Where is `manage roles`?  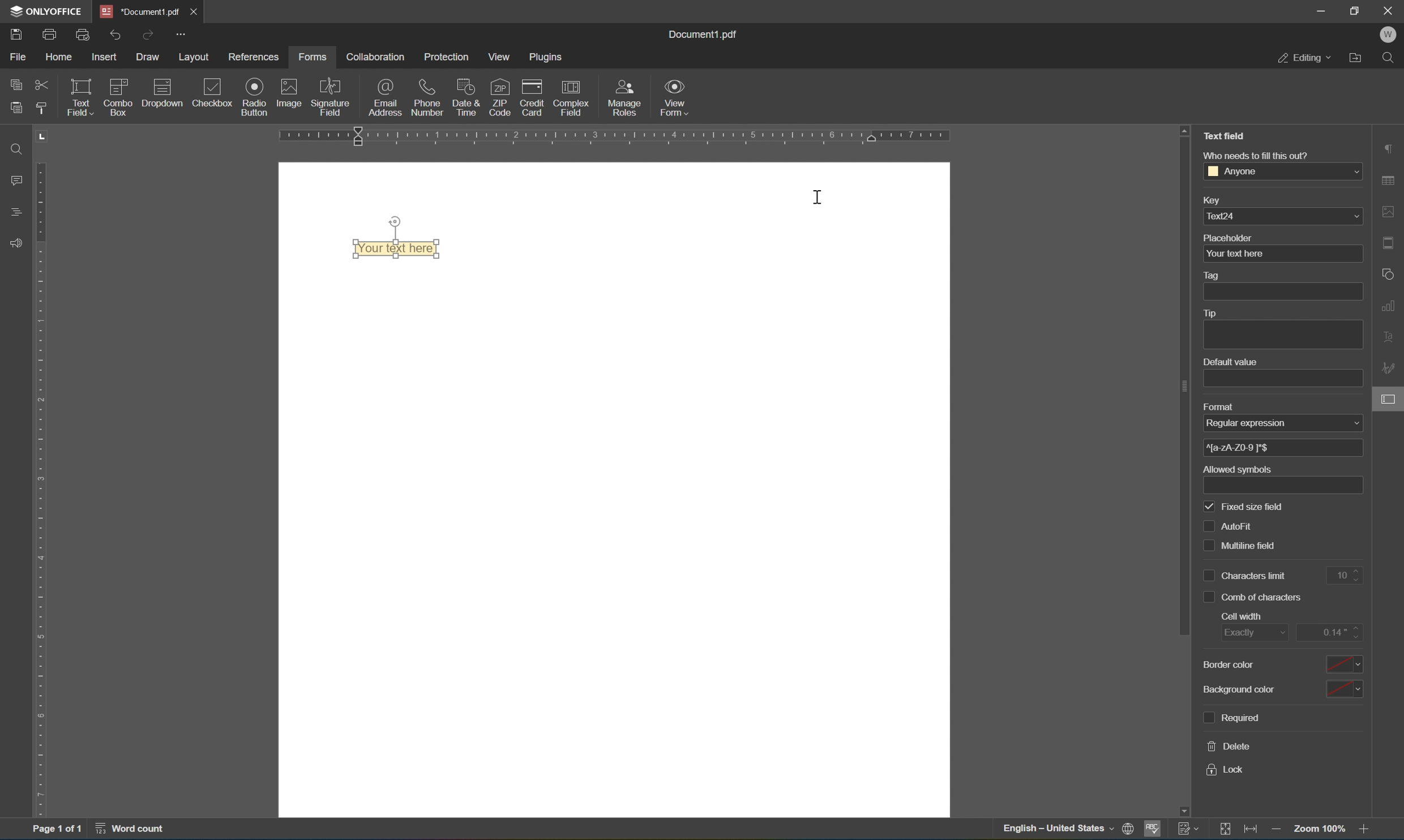 manage roles is located at coordinates (627, 98).